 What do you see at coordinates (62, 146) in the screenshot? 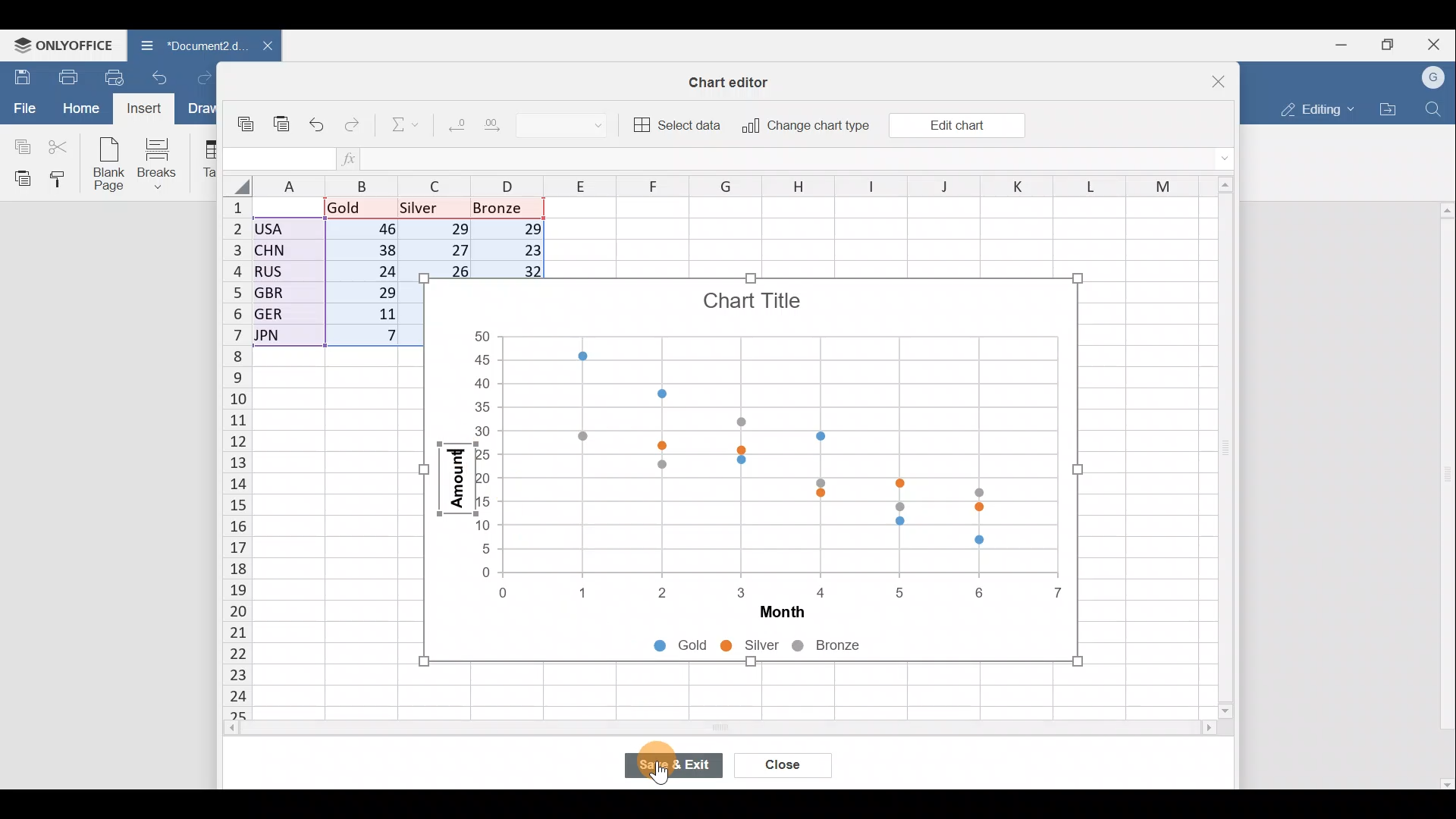
I see `Cut` at bounding box center [62, 146].